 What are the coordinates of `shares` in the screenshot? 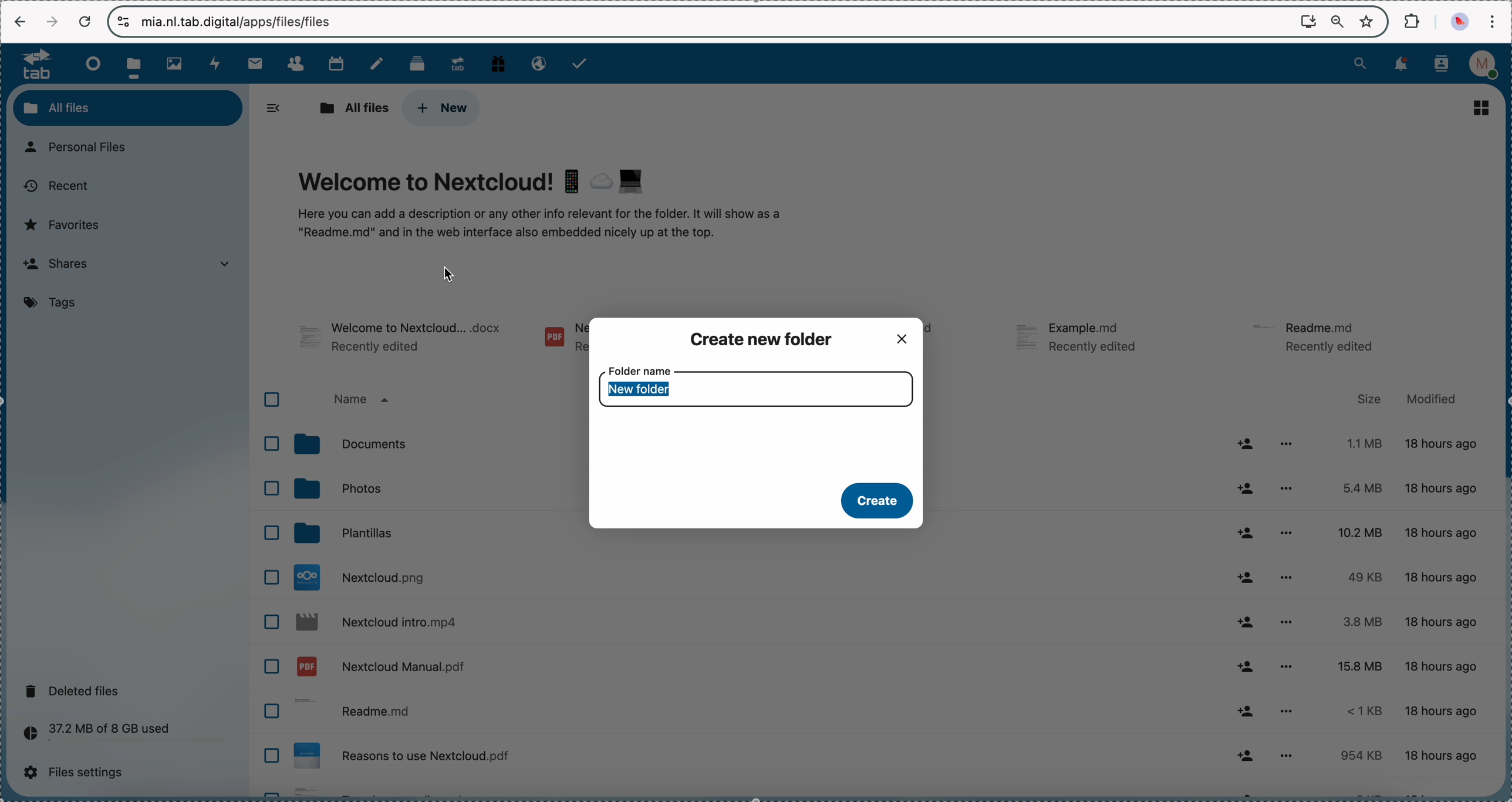 It's located at (125, 266).